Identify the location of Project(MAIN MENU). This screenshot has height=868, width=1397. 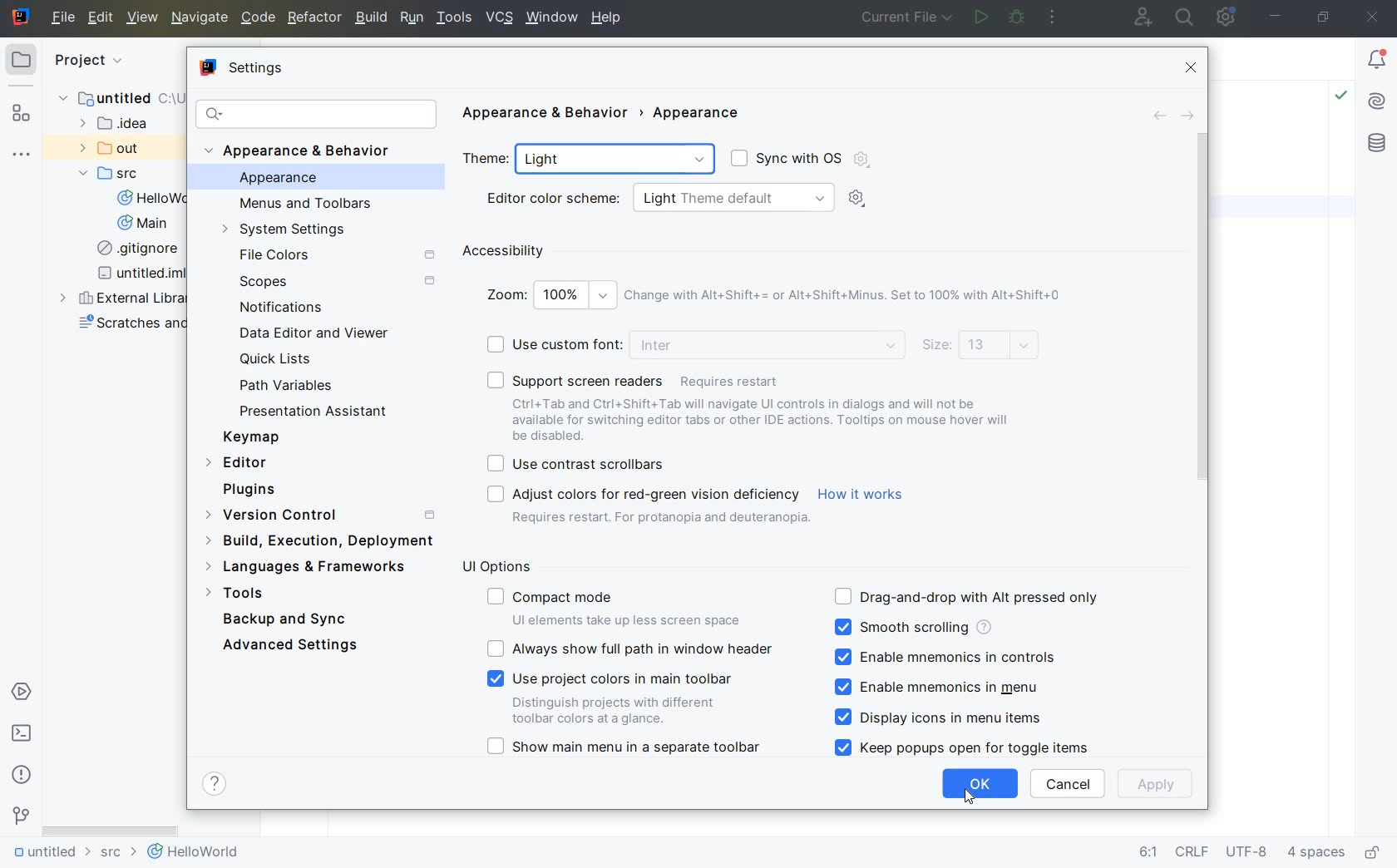
(116, 67).